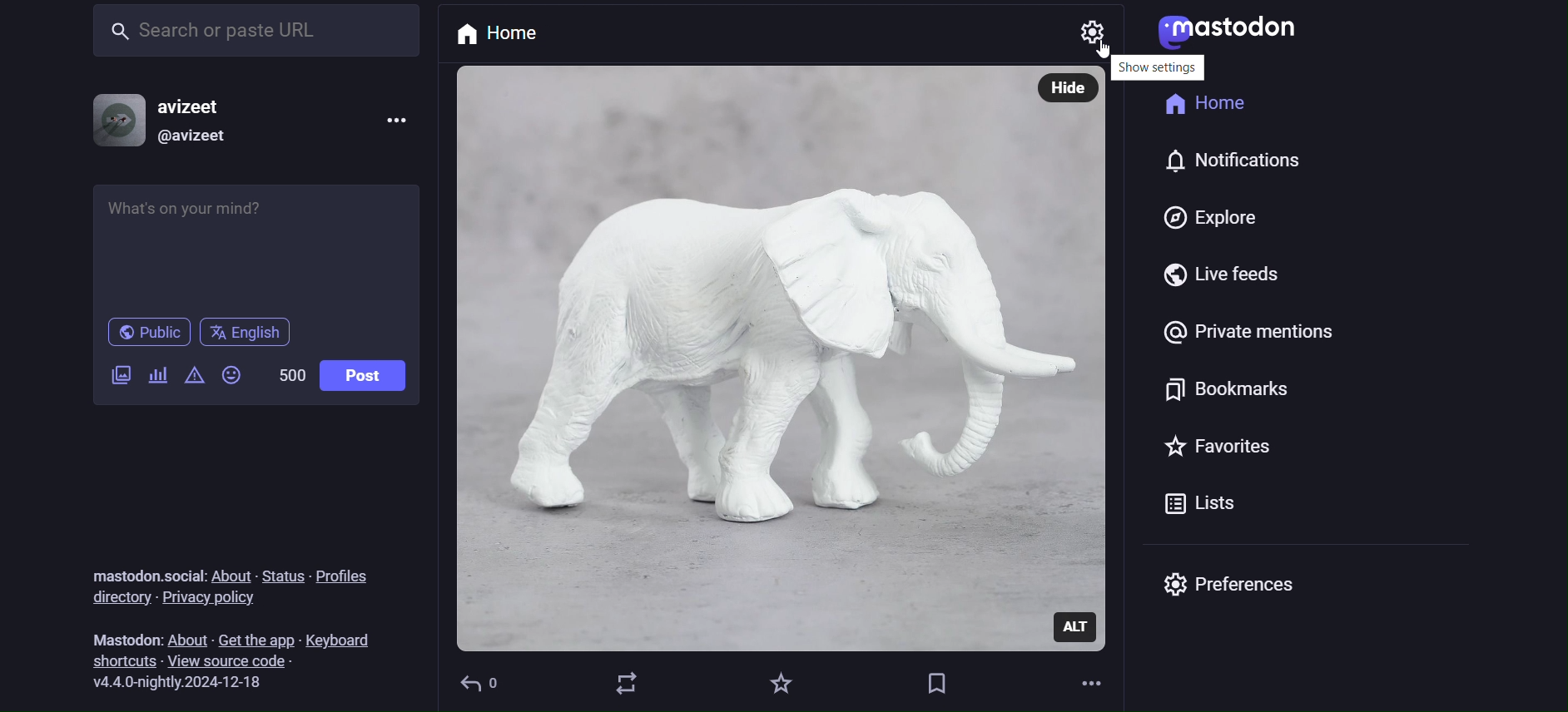 This screenshot has width=1568, height=712. Describe the element at coordinates (117, 377) in the screenshot. I see `add image` at that location.